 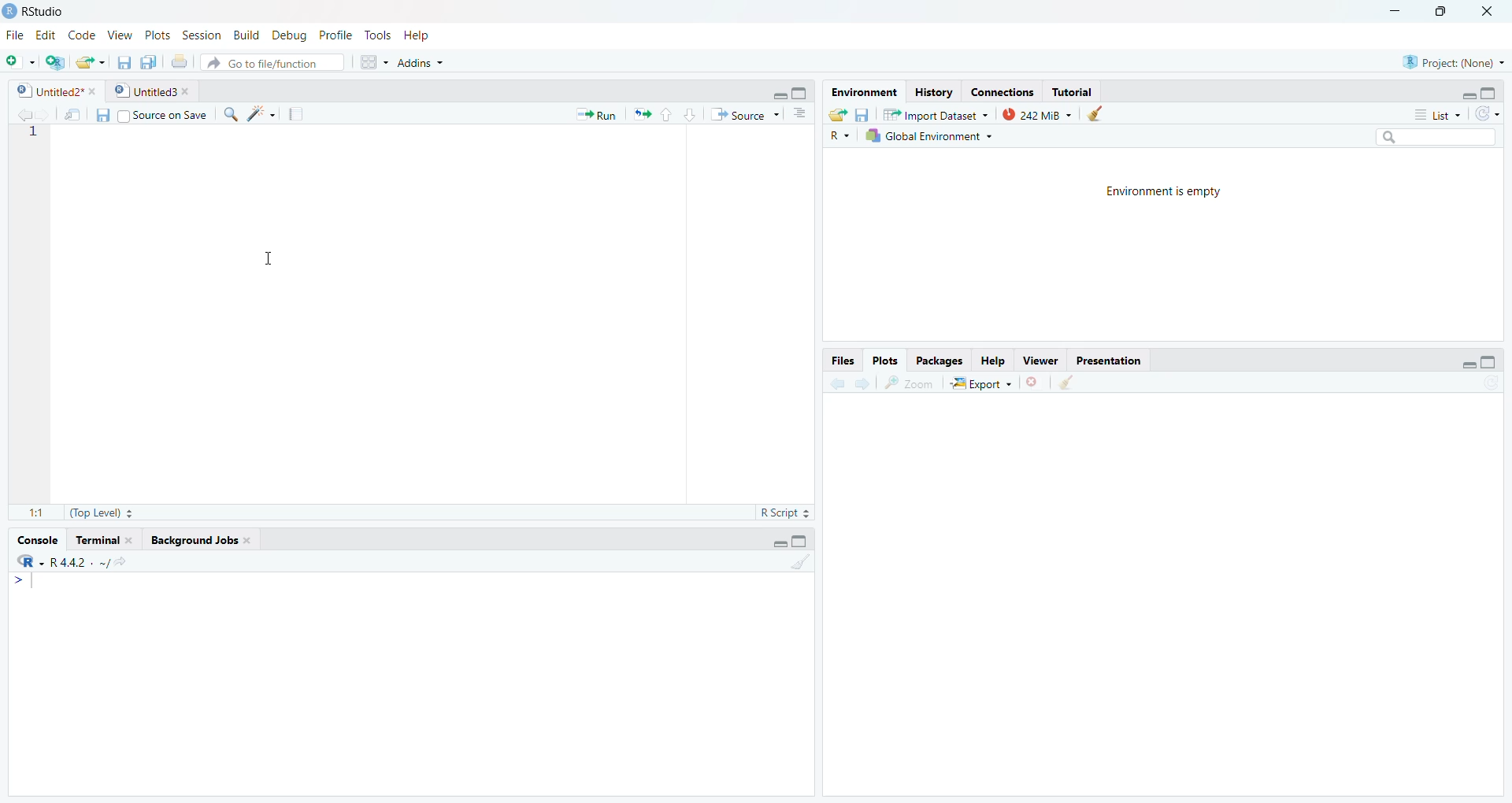 I want to click on Build, so click(x=245, y=35).